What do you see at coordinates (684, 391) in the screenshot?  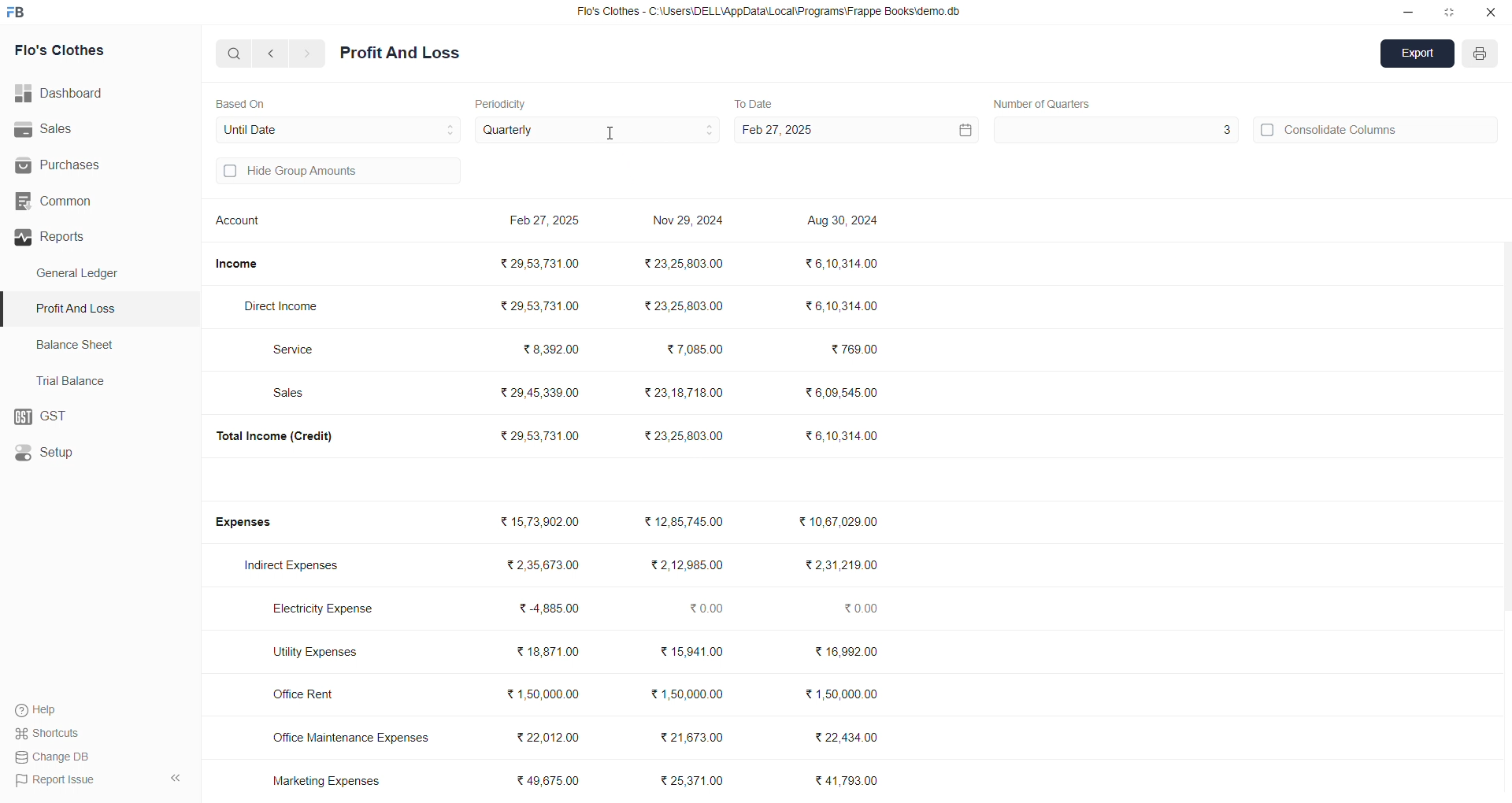 I see `₹23.18.718.00` at bounding box center [684, 391].